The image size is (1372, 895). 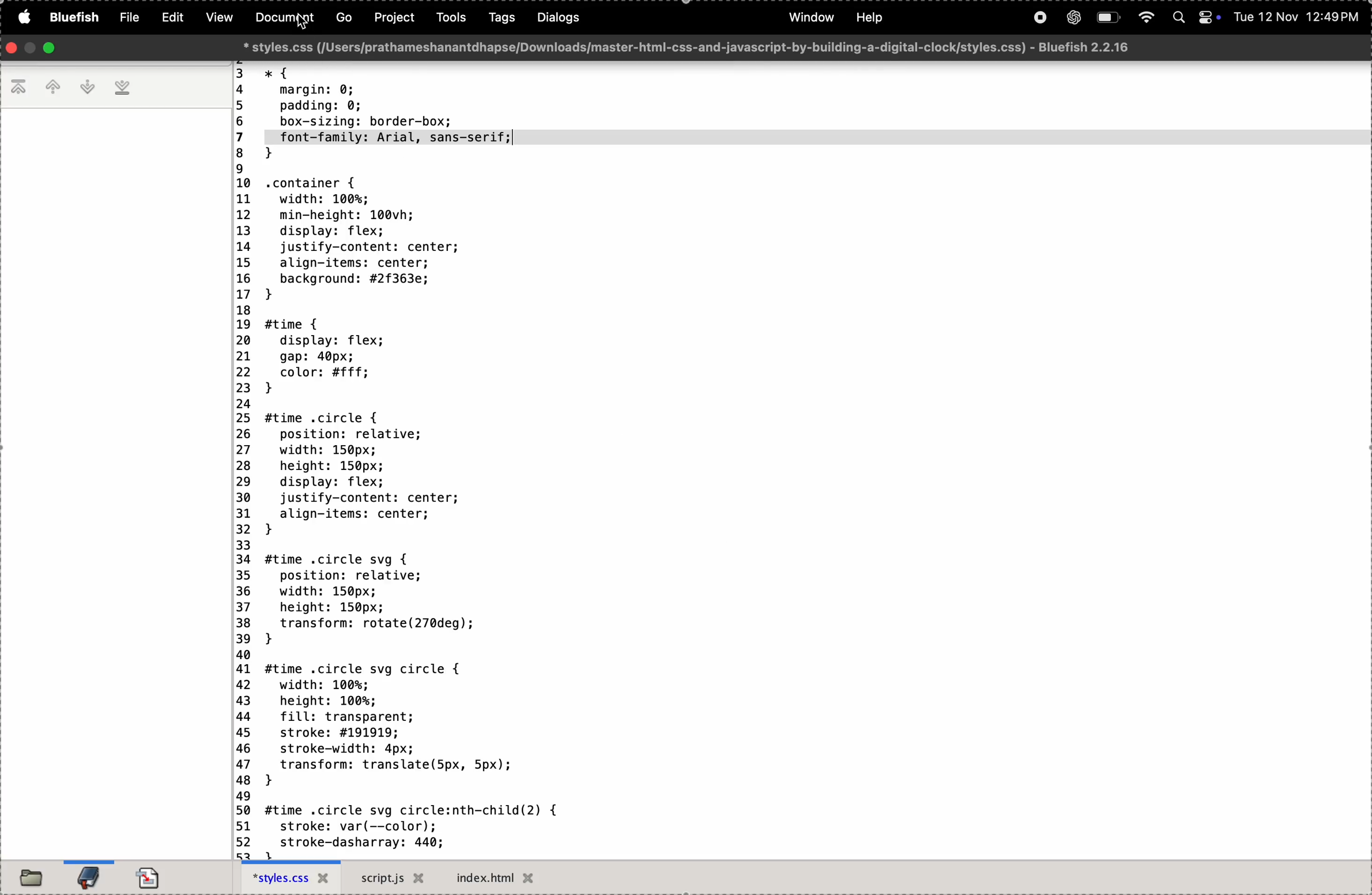 What do you see at coordinates (1295, 18) in the screenshot?
I see `Tue 12 Nov 12:49PM` at bounding box center [1295, 18].